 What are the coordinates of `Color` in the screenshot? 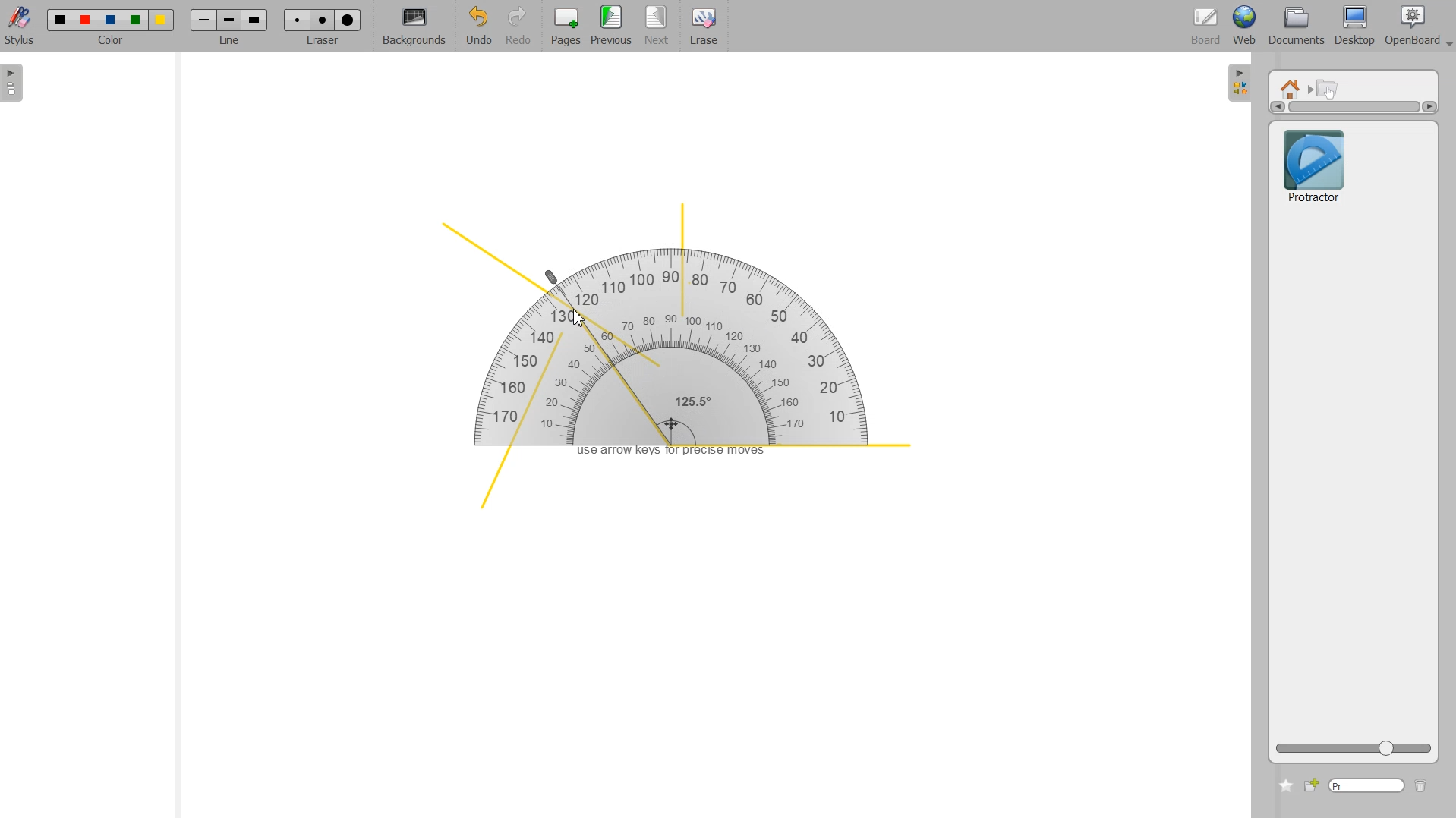 It's located at (114, 15).